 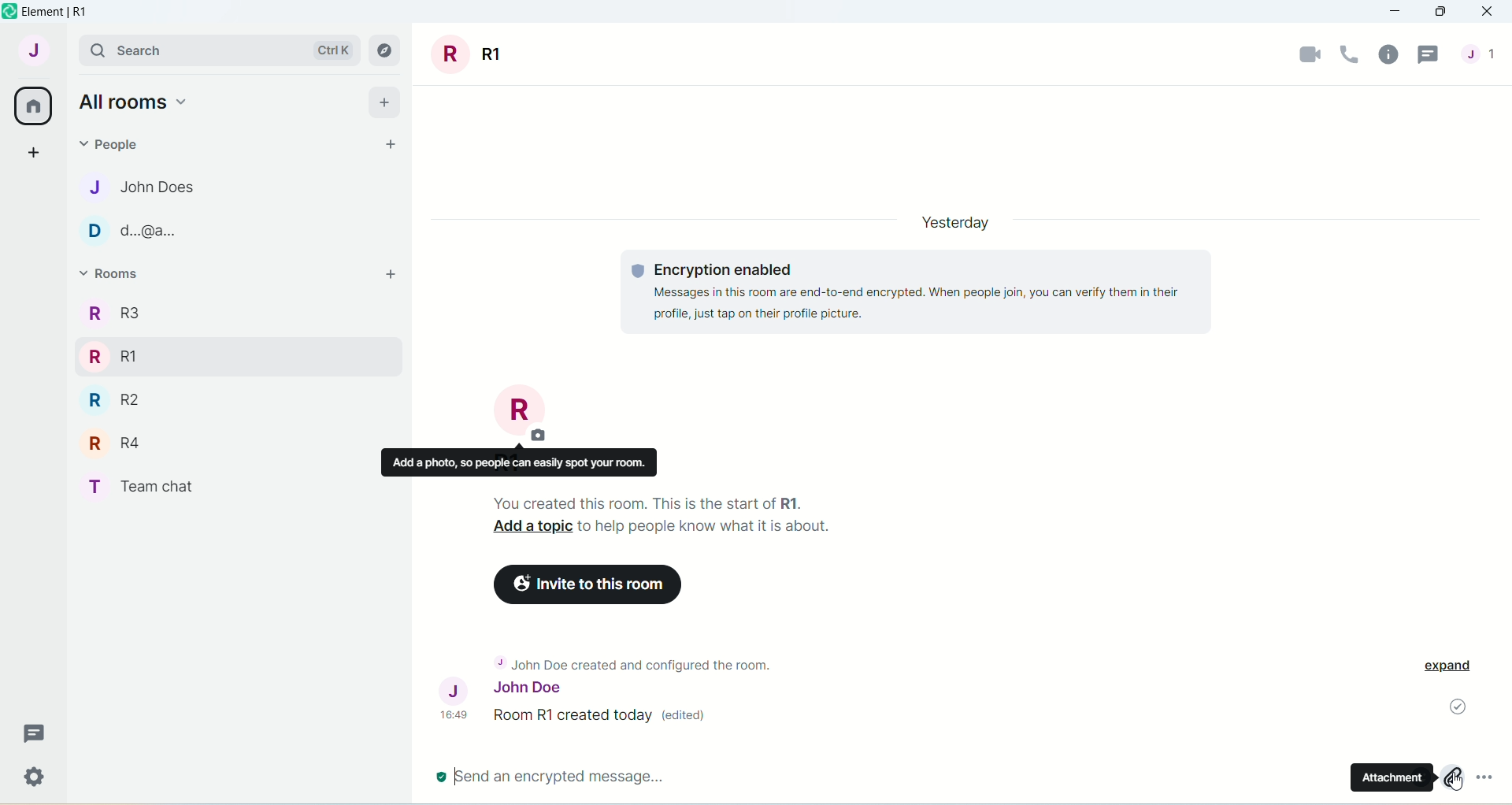 What do you see at coordinates (590, 584) in the screenshot?
I see `invite to this room` at bounding box center [590, 584].